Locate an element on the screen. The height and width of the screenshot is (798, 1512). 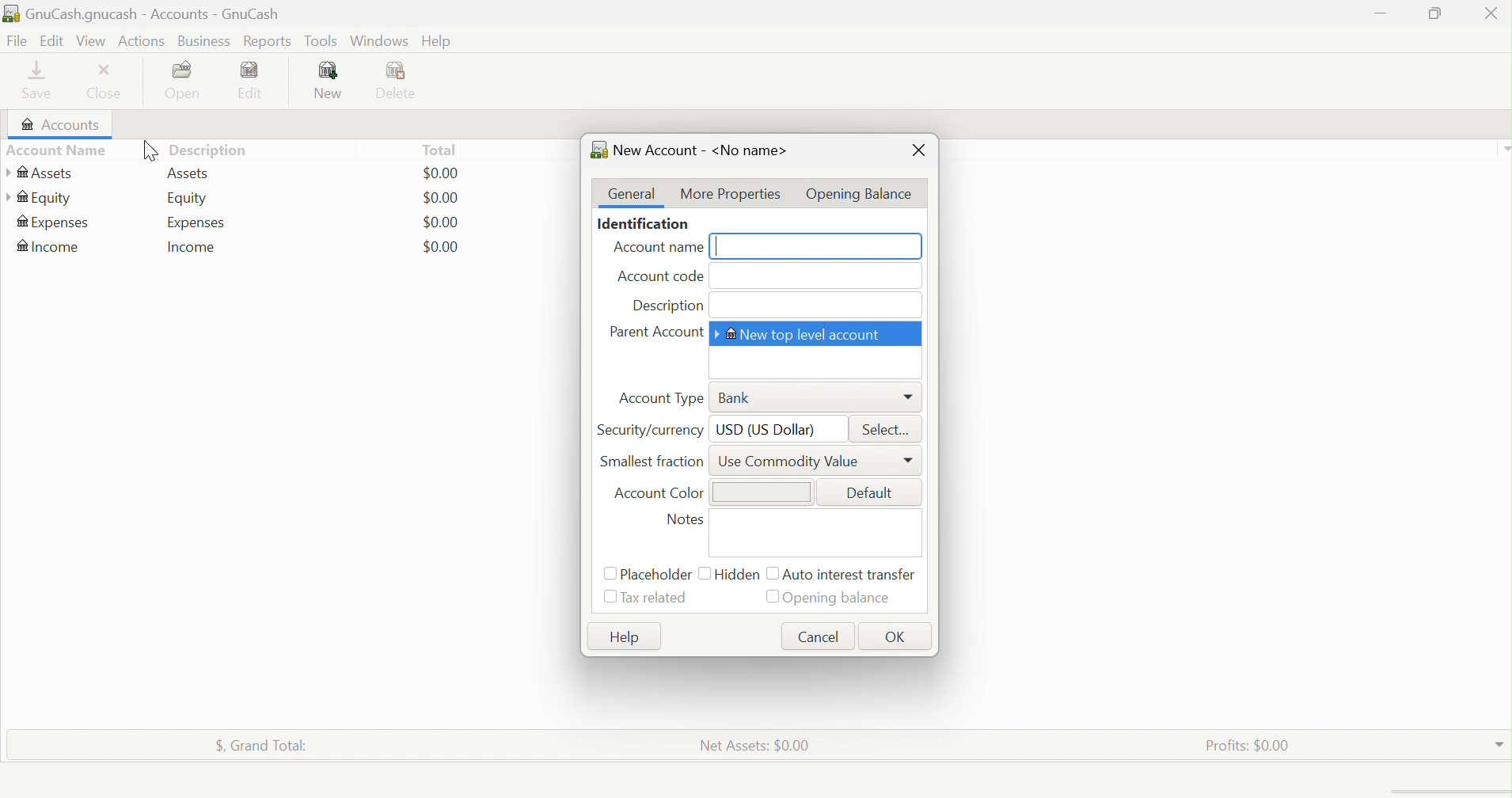
Expenses is located at coordinates (54, 224).